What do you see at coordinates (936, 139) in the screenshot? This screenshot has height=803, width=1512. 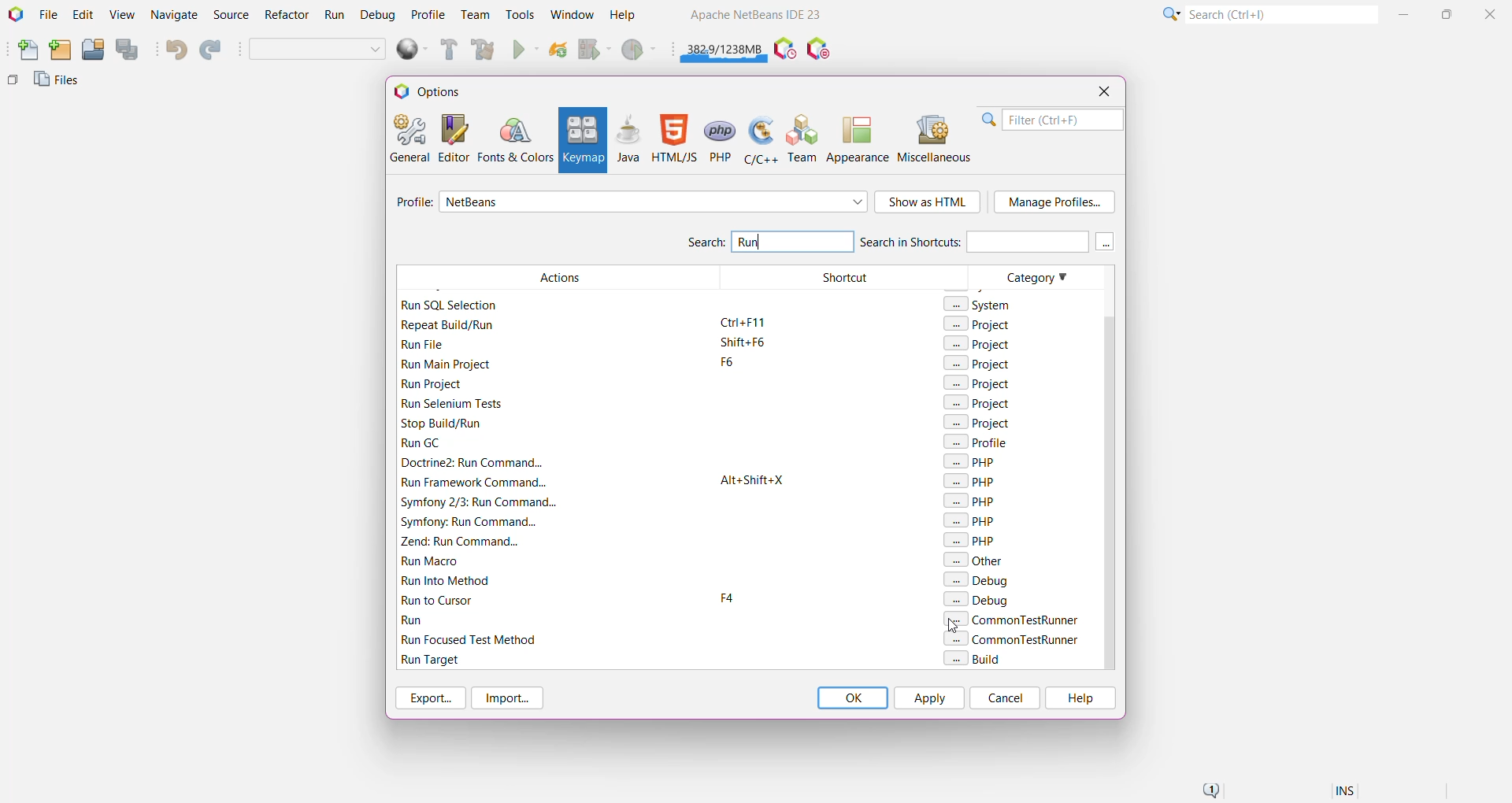 I see `Miscellaneous` at bounding box center [936, 139].